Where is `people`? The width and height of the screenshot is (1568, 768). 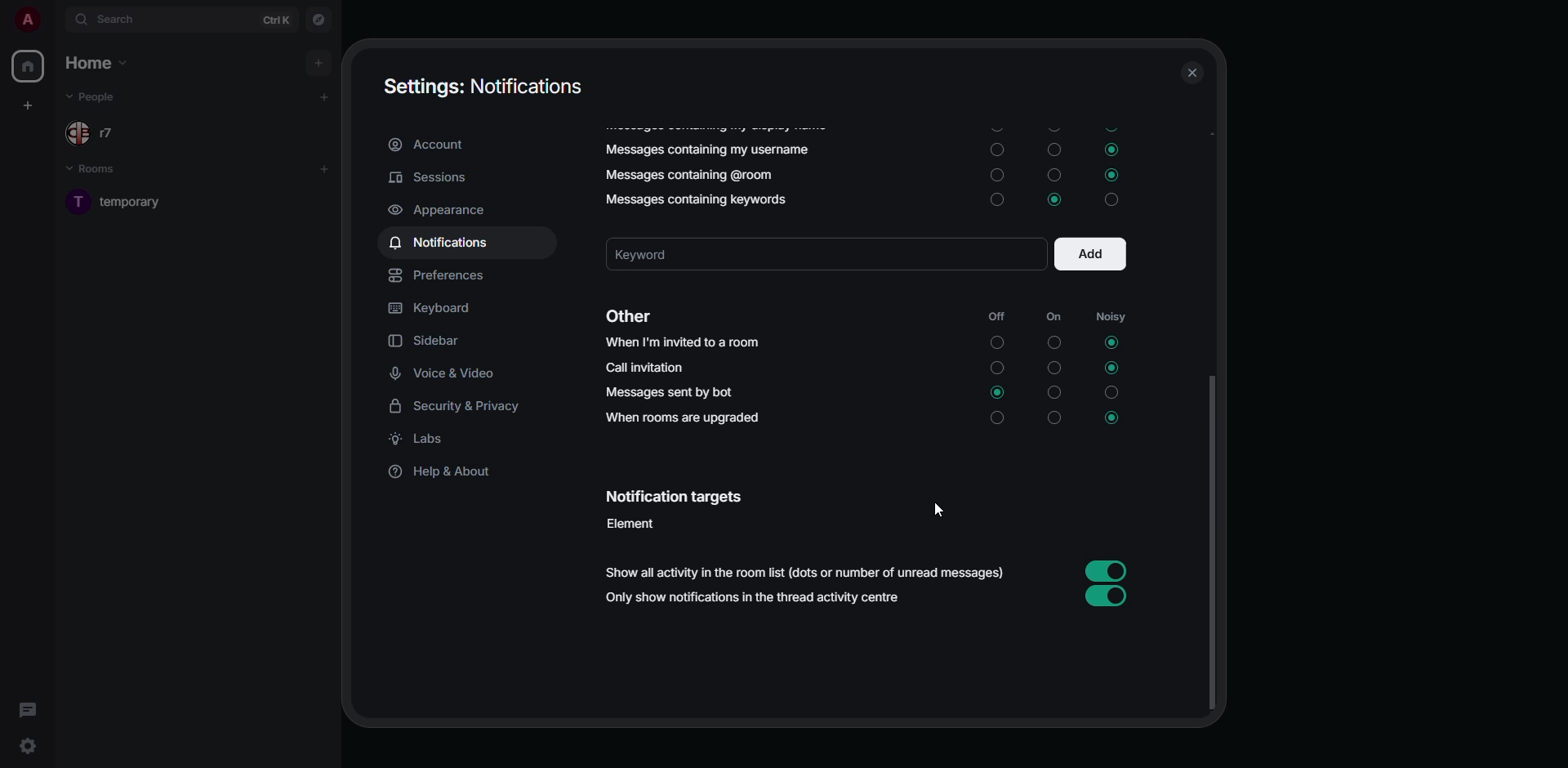 people is located at coordinates (100, 132).